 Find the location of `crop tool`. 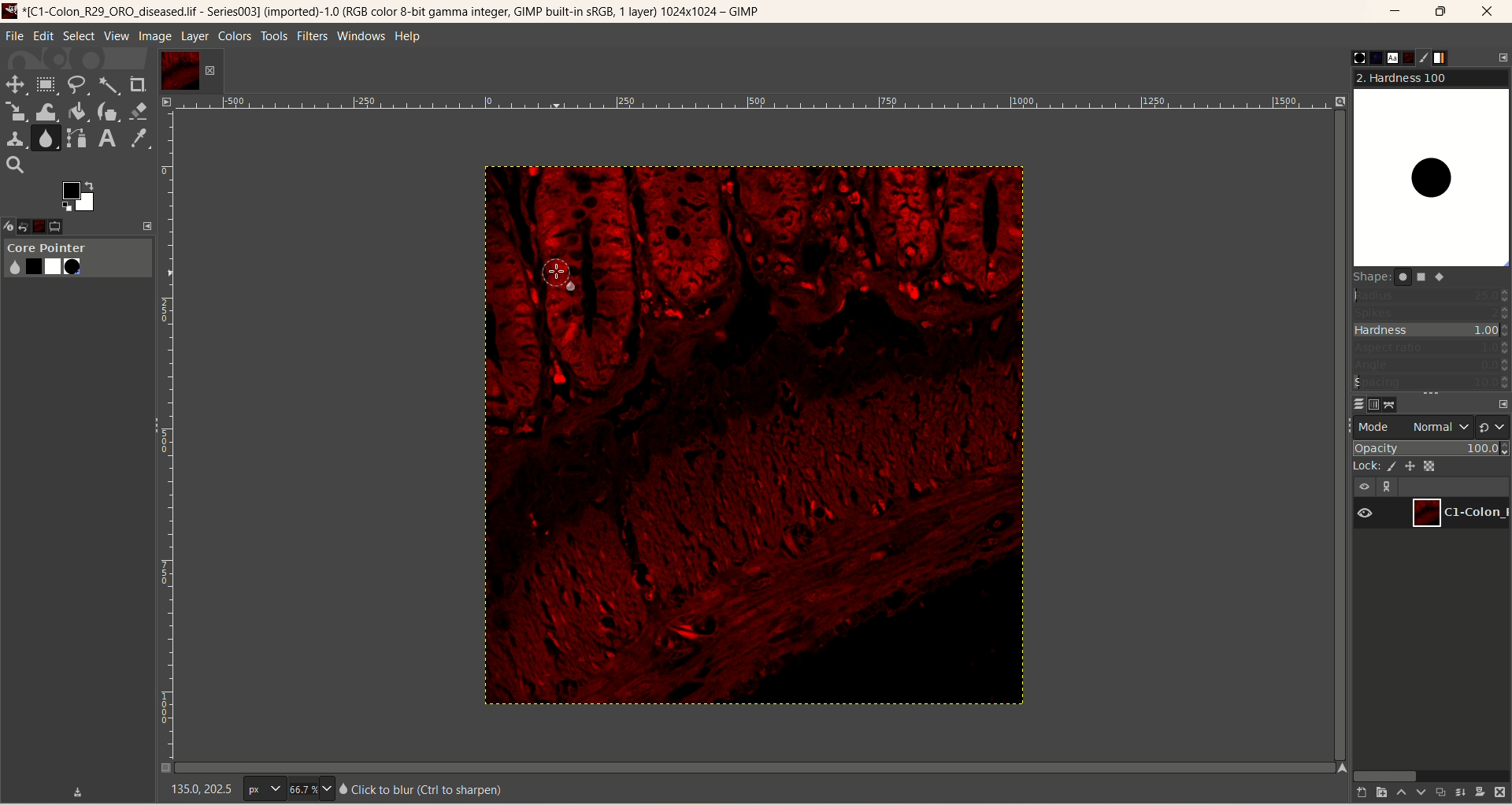

crop tool is located at coordinates (139, 84).